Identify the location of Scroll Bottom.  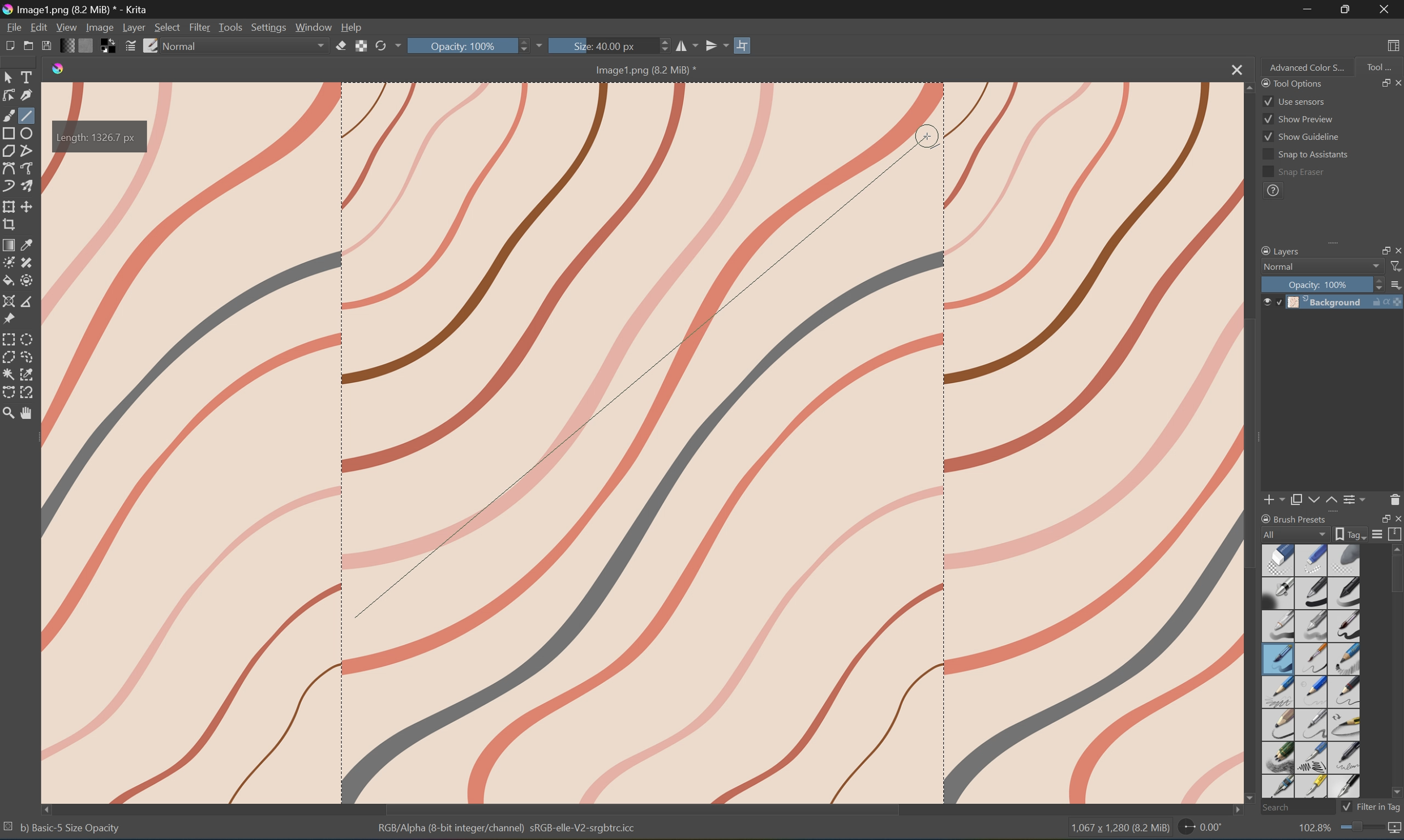
(1251, 796).